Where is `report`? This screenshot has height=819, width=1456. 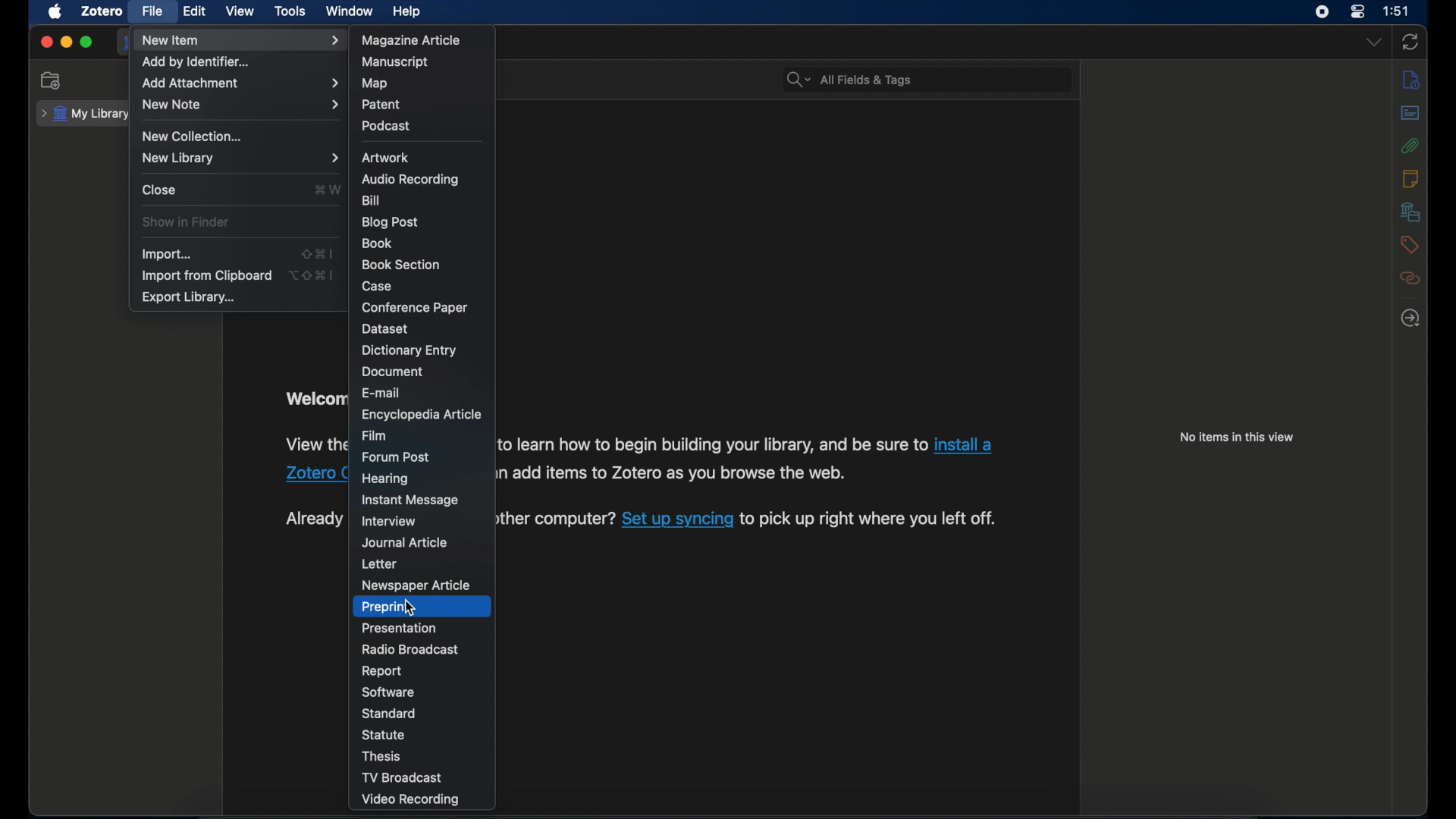
report is located at coordinates (382, 670).